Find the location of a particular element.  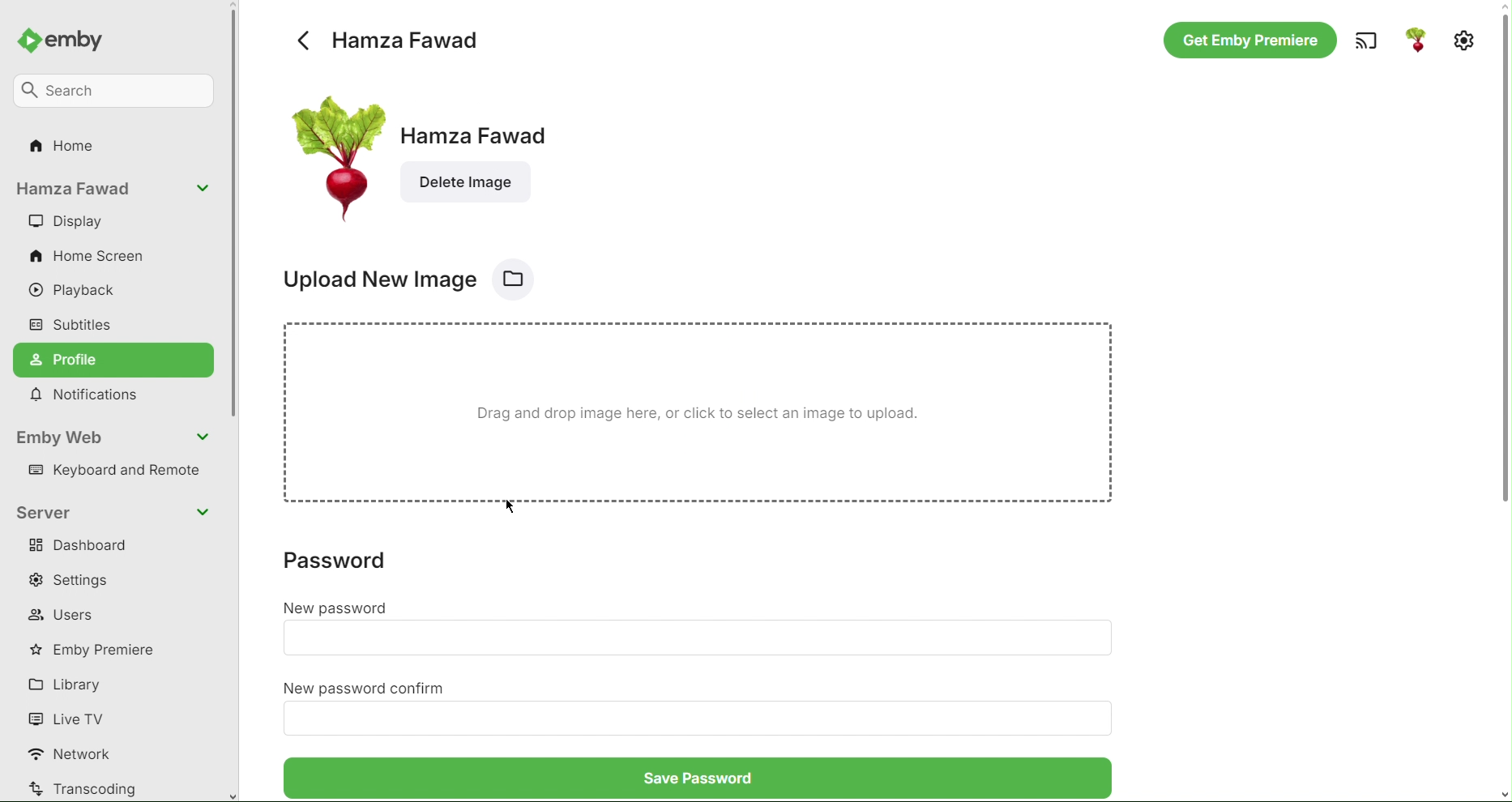

Upload New Image is located at coordinates (408, 278).